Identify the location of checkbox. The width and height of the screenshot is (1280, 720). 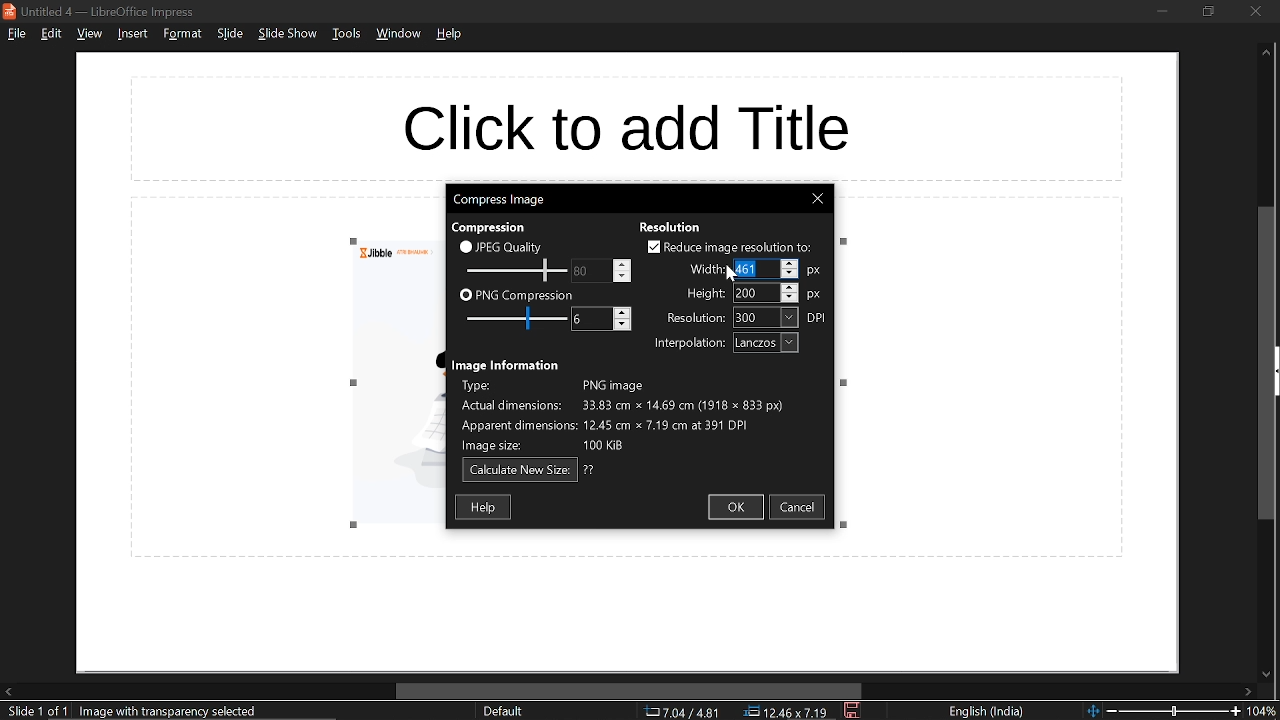
(465, 246).